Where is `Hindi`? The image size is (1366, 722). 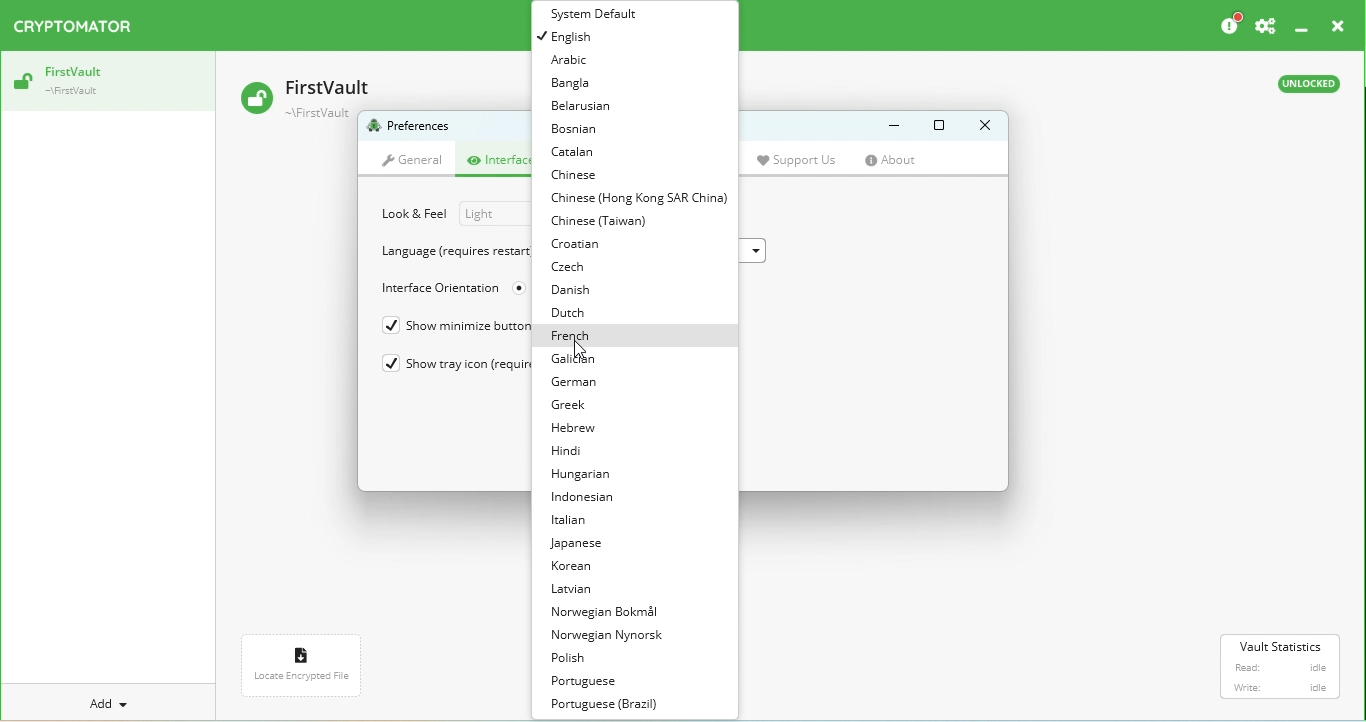
Hindi is located at coordinates (567, 452).